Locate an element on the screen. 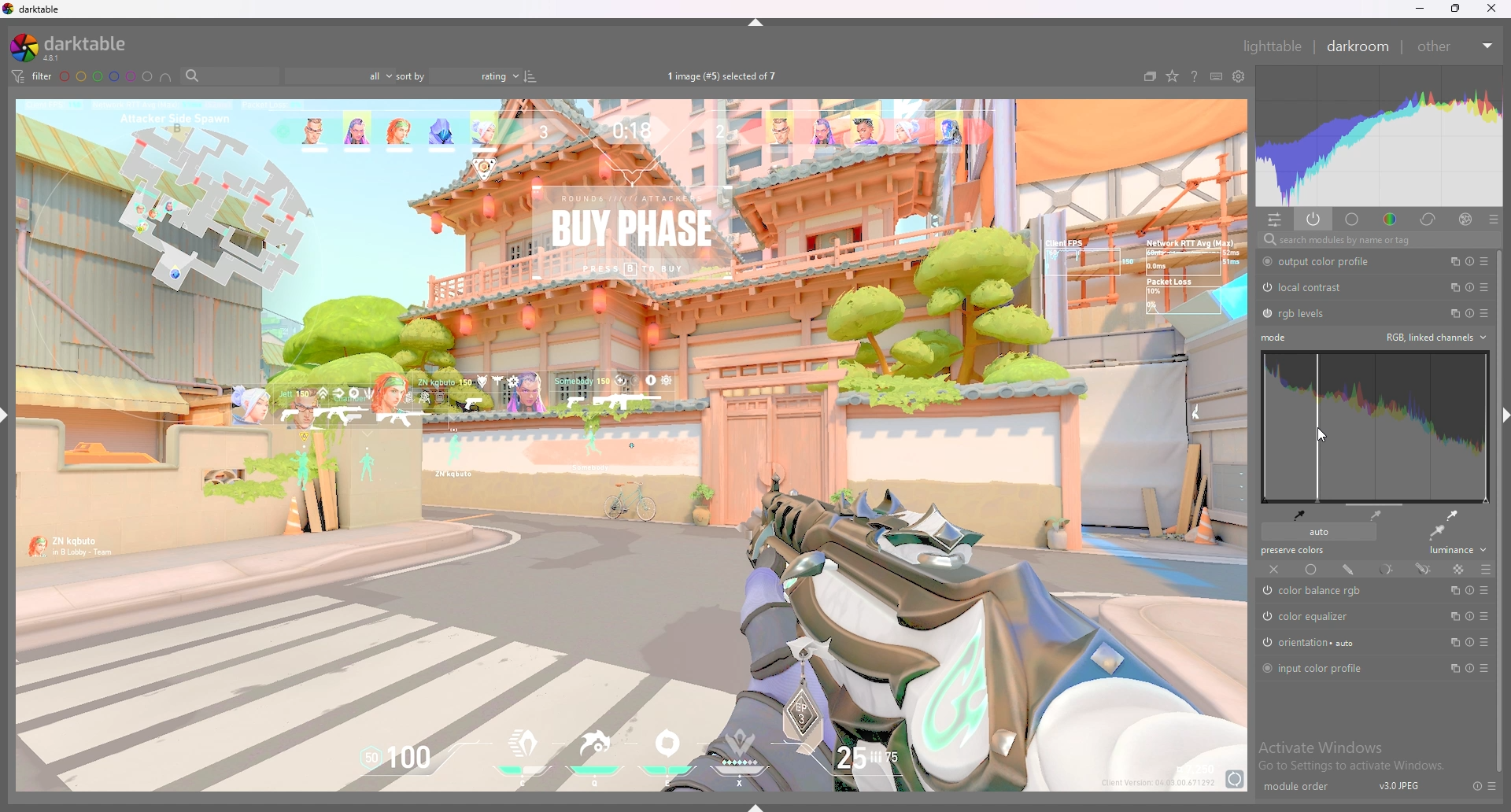 The width and height of the screenshot is (1511, 812). collapse grouped images is located at coordinates (1151, 77).